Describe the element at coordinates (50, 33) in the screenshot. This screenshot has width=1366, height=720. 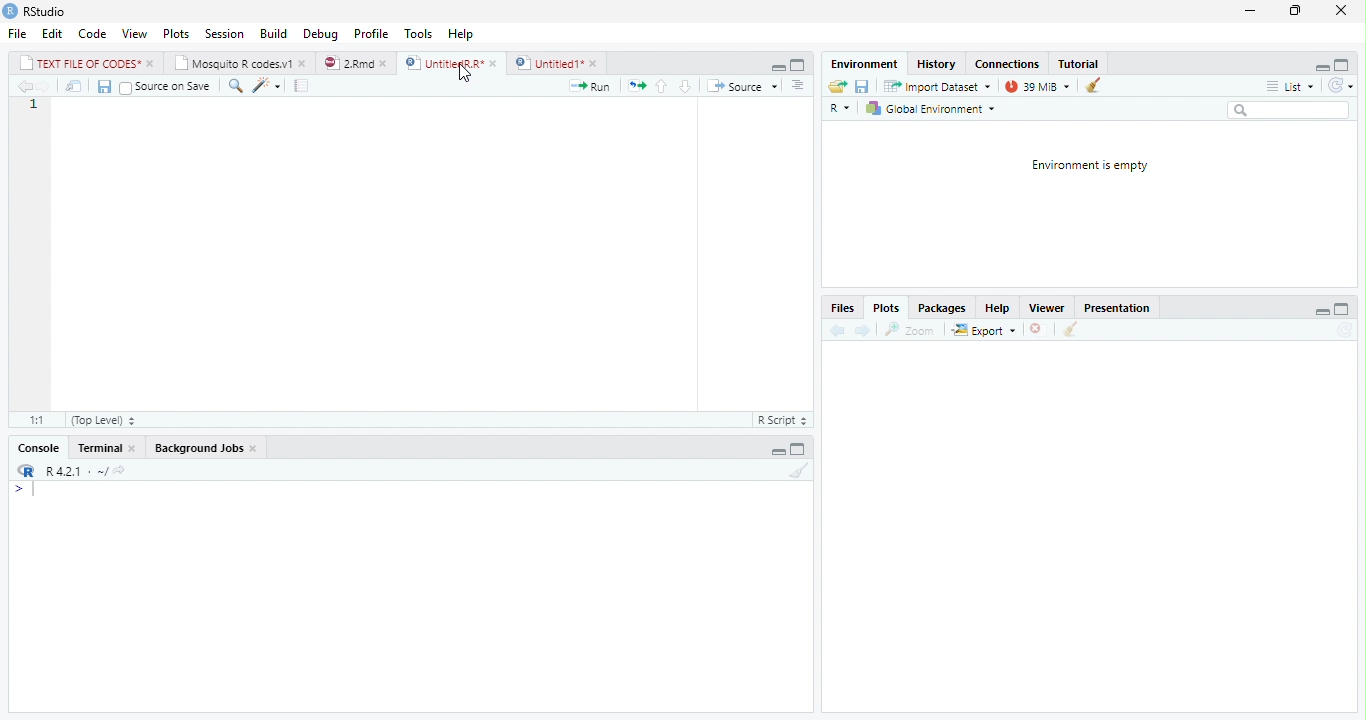
I see `Edit` at that location.